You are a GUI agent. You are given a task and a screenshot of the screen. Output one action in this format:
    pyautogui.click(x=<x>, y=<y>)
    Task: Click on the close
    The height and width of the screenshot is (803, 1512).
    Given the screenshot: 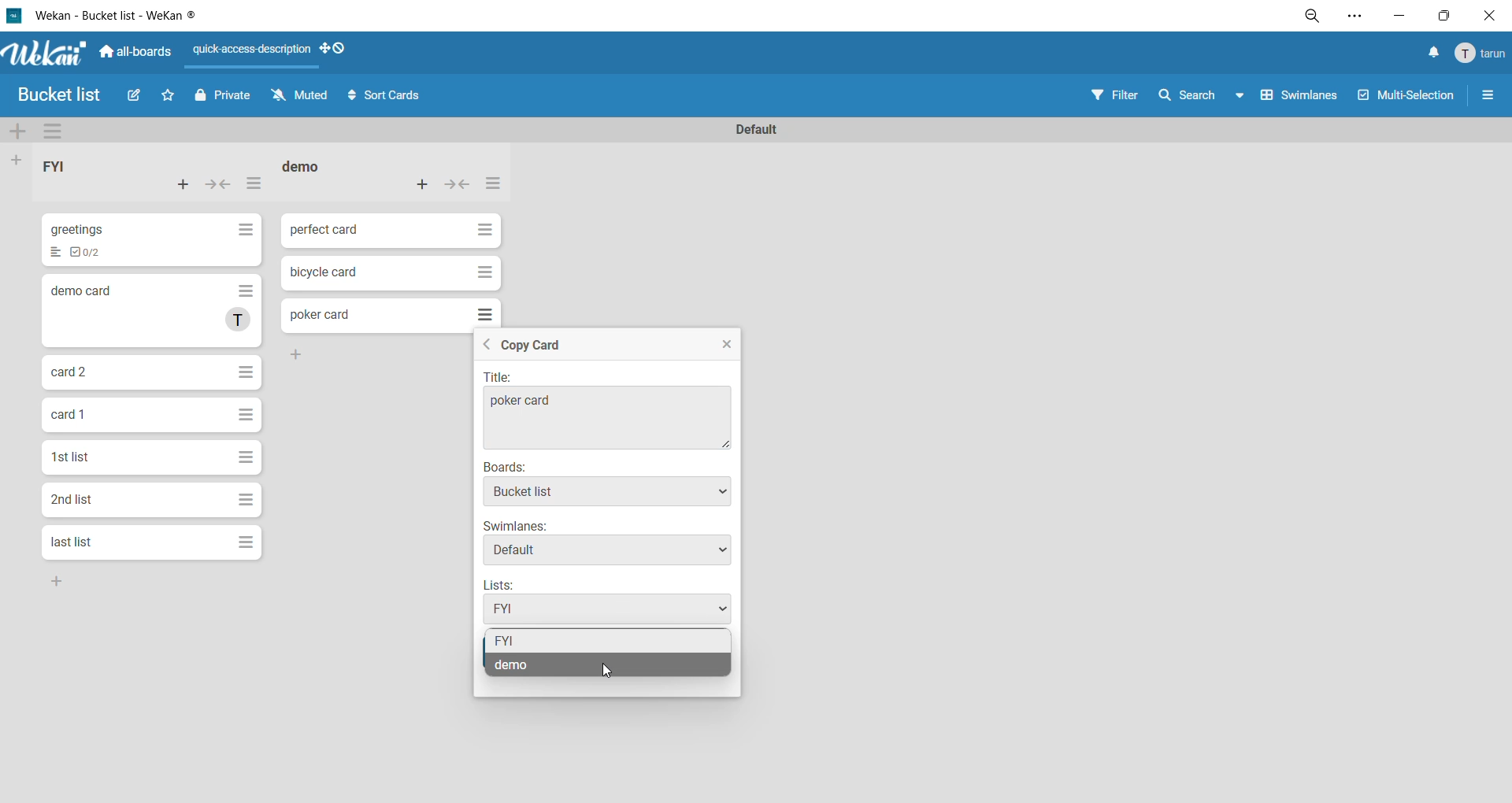 What is the action you would take?
    pyautogui.click(x=1487, y=16)
    